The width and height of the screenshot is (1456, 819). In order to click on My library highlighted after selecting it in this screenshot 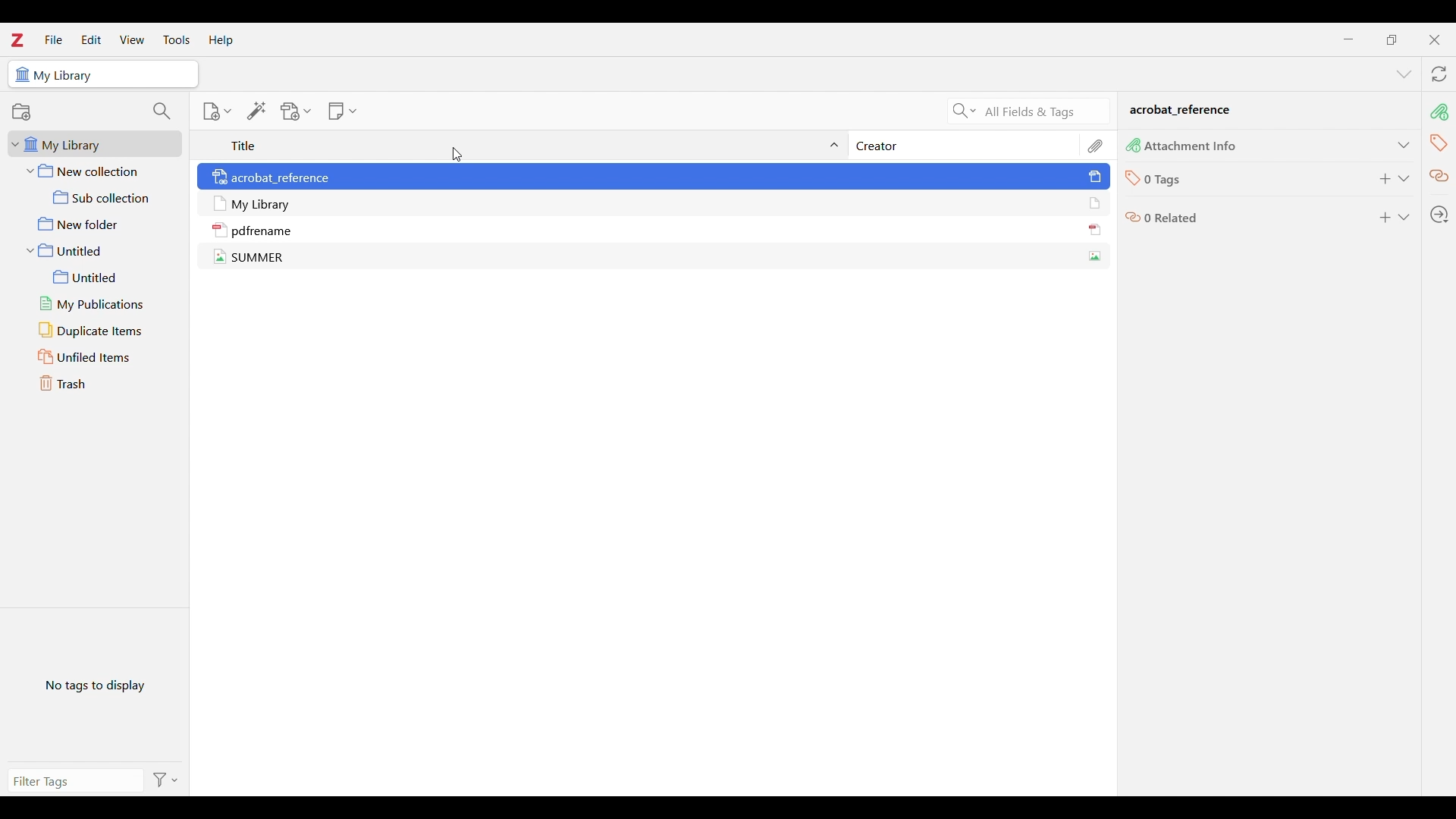, I will do `click(96, 144)`.